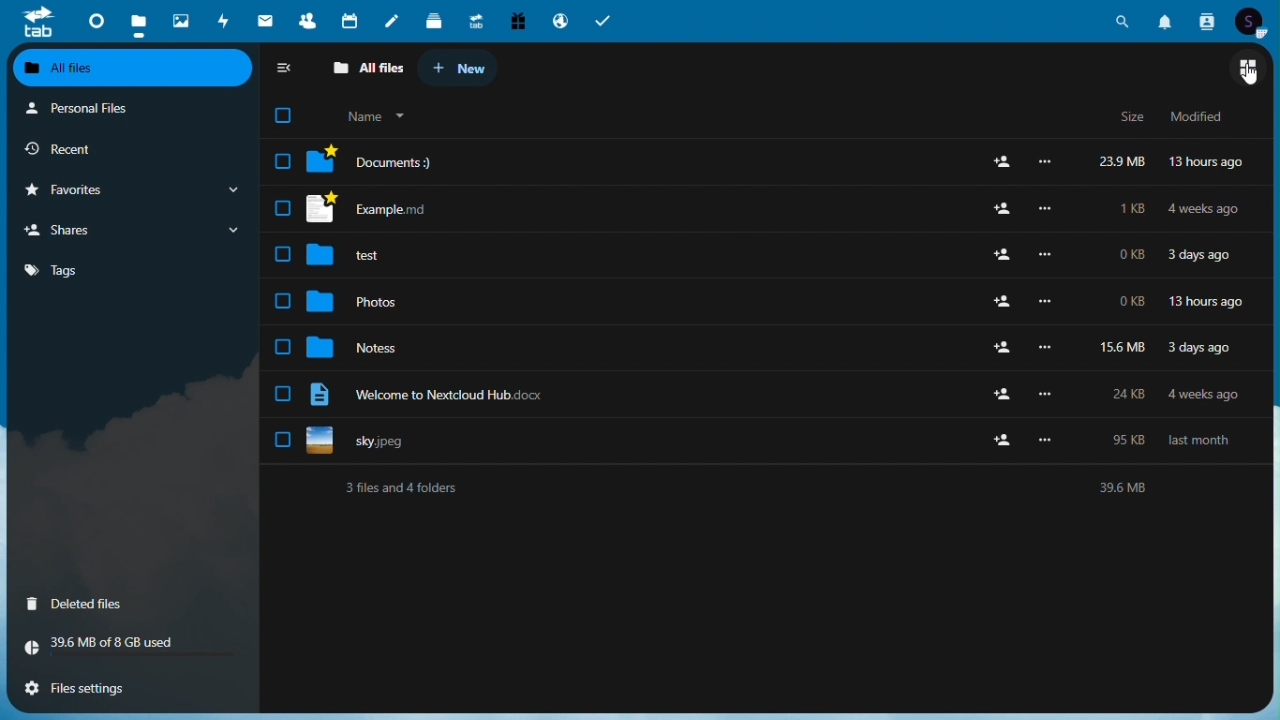 The width and height of the screenshot is (1280, 720). What do you see at coordinates (1208, 350) in the screenshot?
I see `3 days ago ` at bounding box center [1208, 350].